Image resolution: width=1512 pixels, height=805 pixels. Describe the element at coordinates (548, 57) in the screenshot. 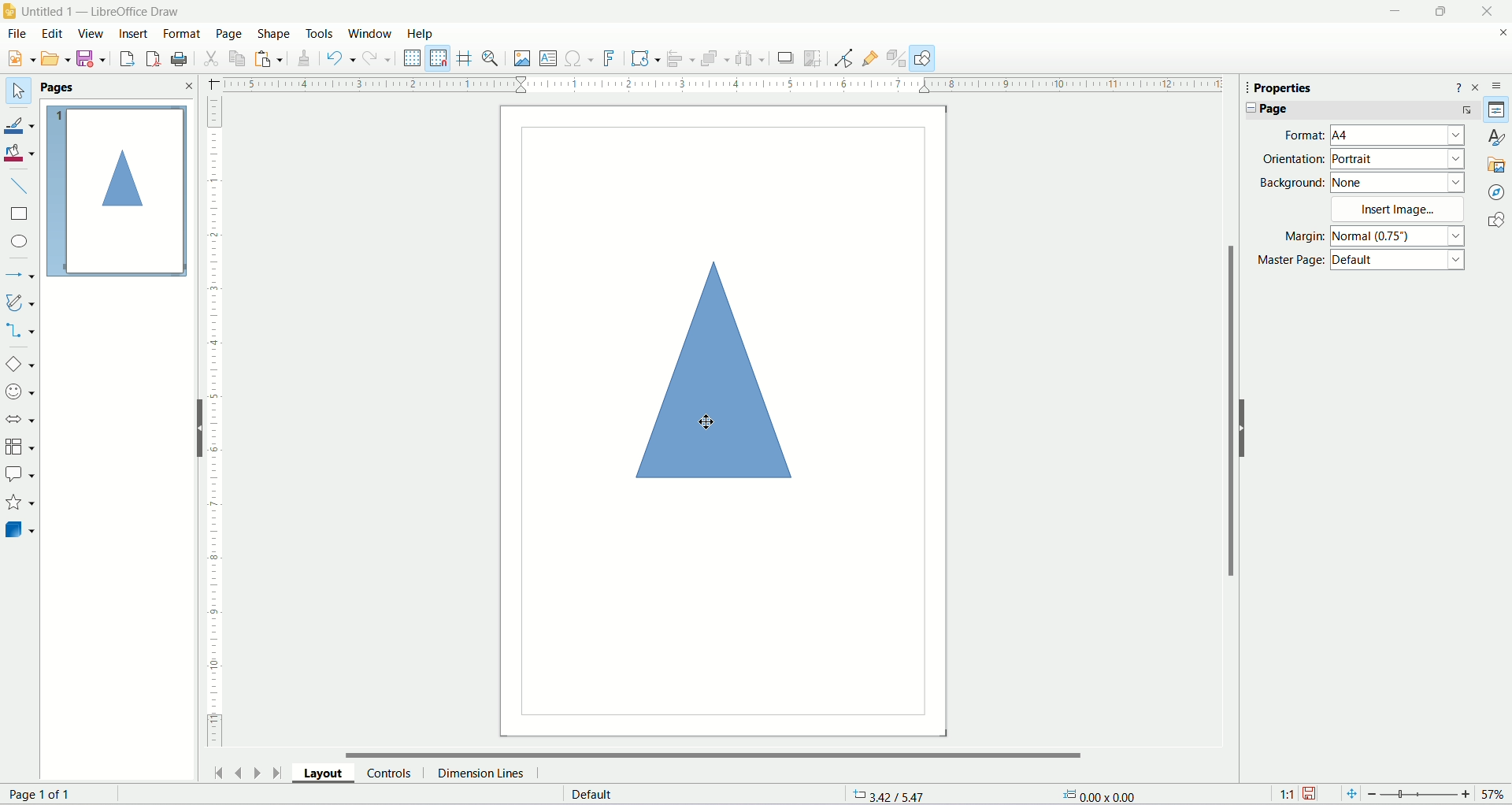

I see `Insert text box` at that location.